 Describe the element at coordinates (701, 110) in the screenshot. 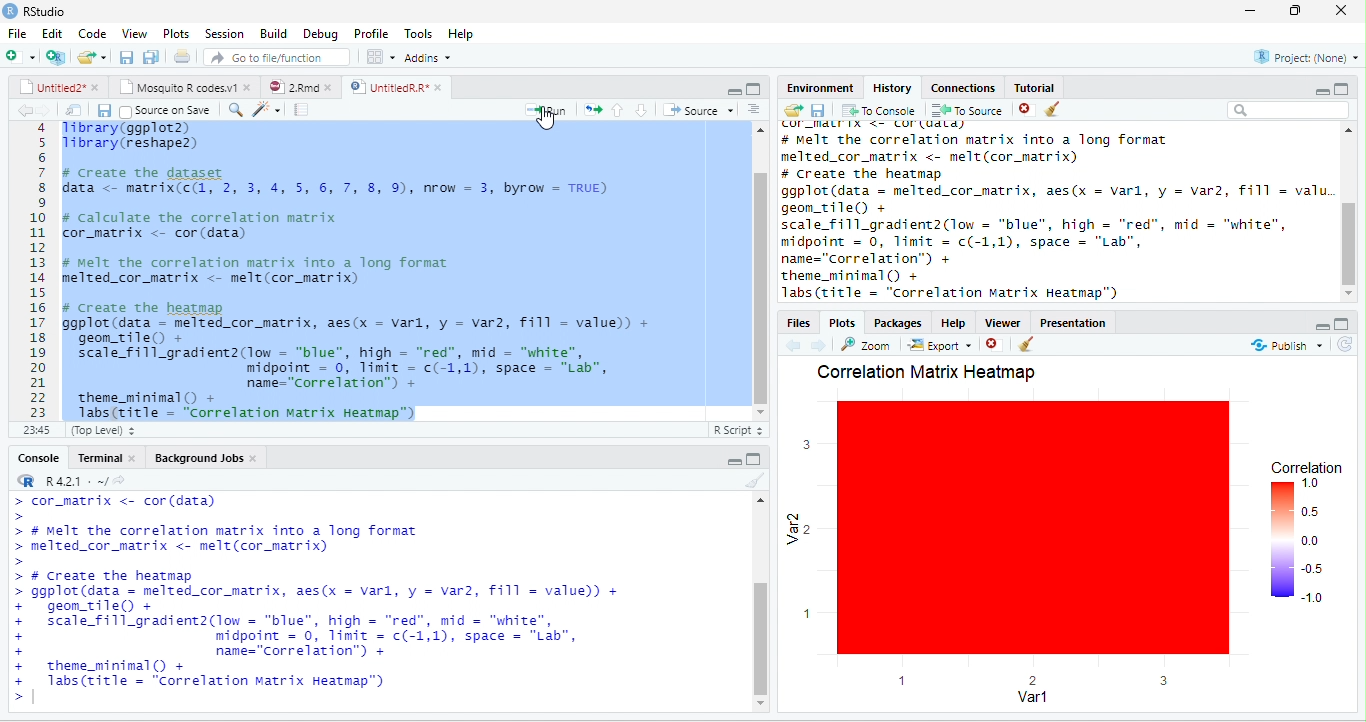

I see `source` at that location.